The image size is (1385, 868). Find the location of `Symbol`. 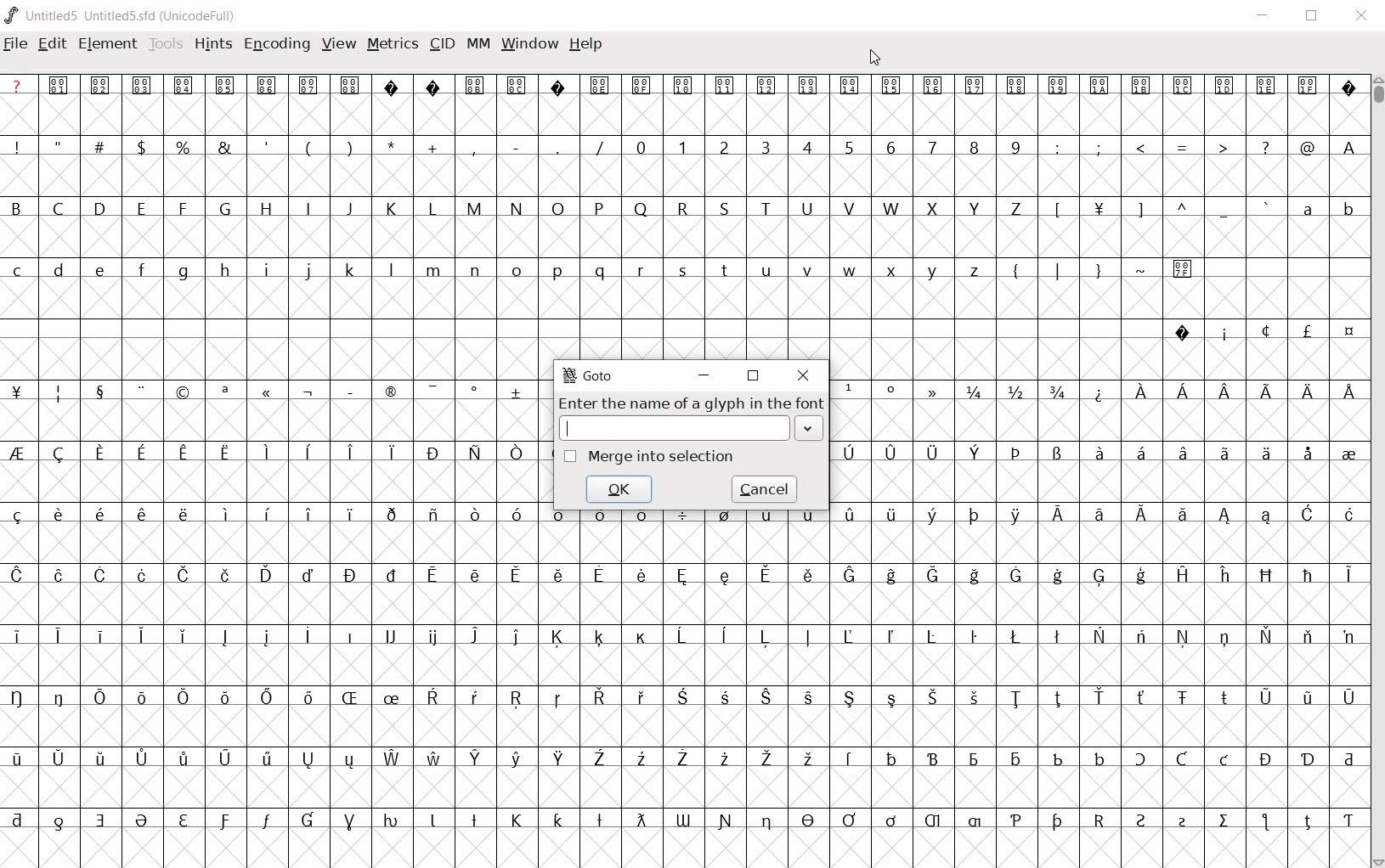

Symbol is located at coordinates (268, 85).